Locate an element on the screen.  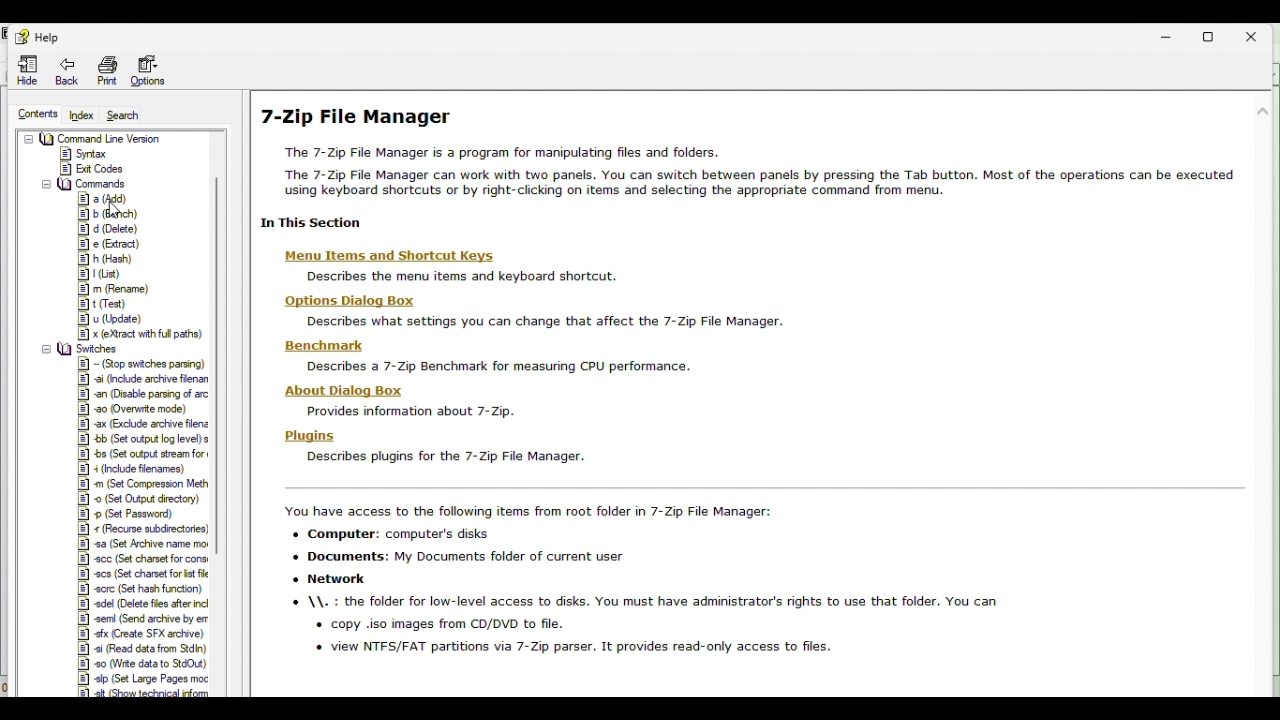
Print  is located at coordinates (110, 69).